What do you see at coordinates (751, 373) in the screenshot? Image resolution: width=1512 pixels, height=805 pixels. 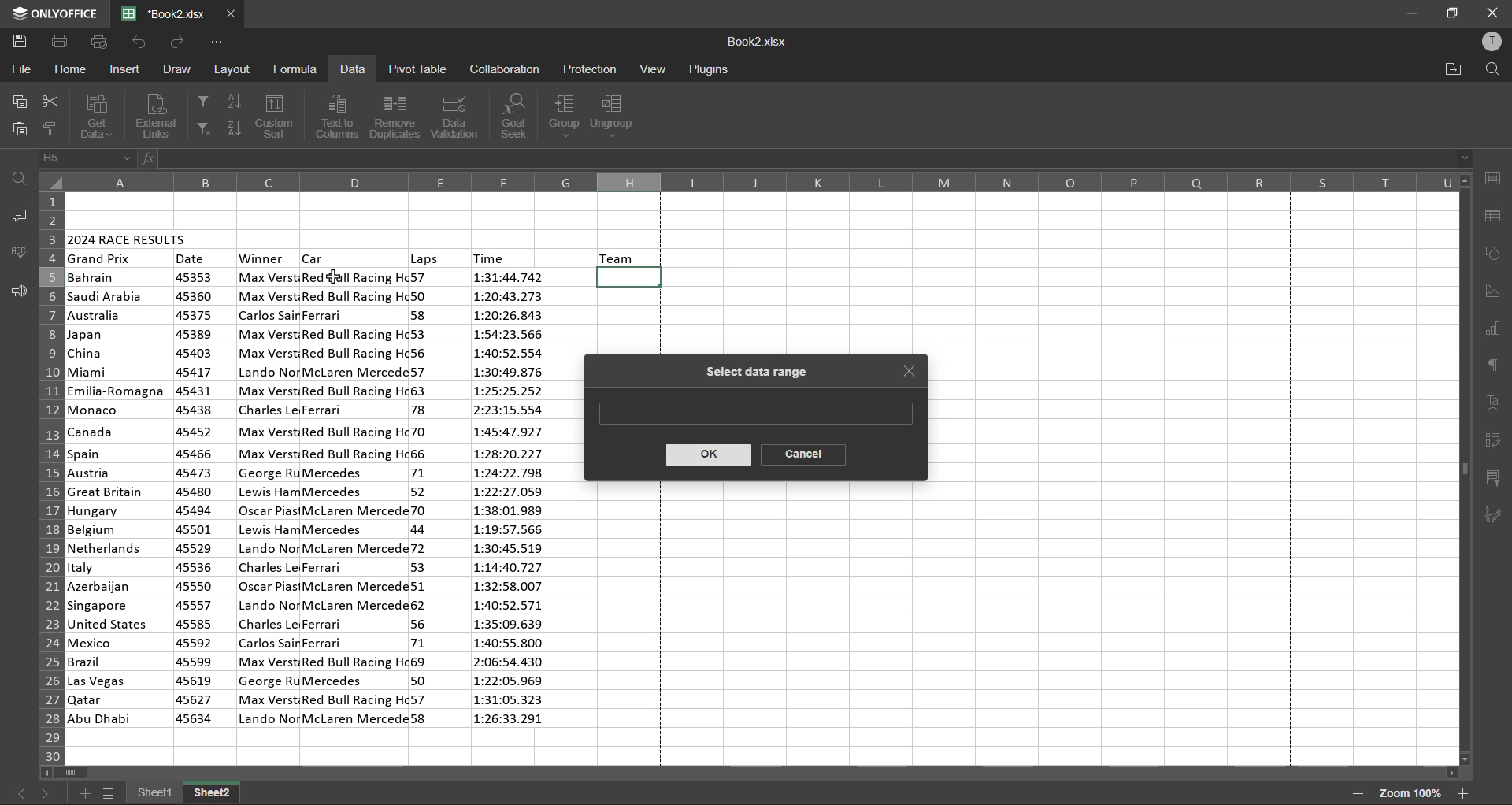 I see `select data range` at bounding box center [751, 373].